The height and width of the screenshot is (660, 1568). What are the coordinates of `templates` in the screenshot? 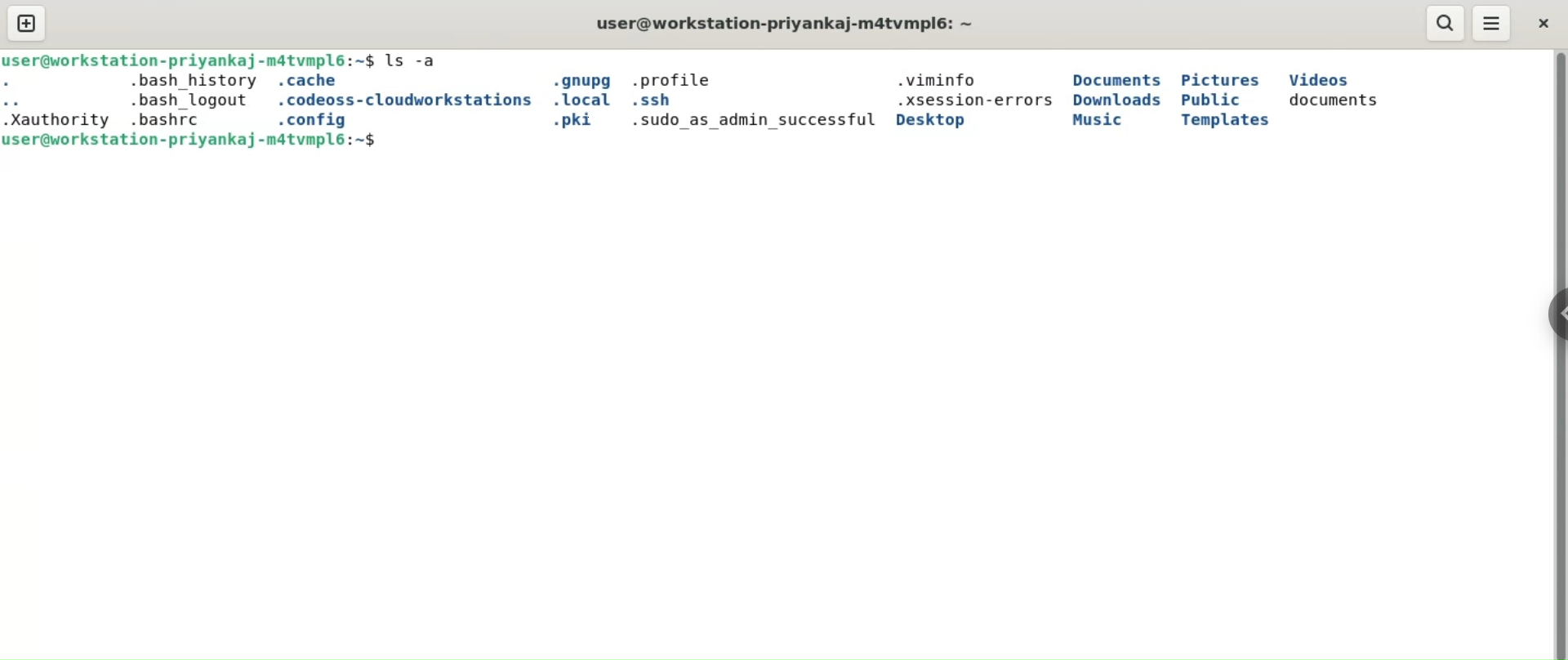 It's located at (1228, 121).